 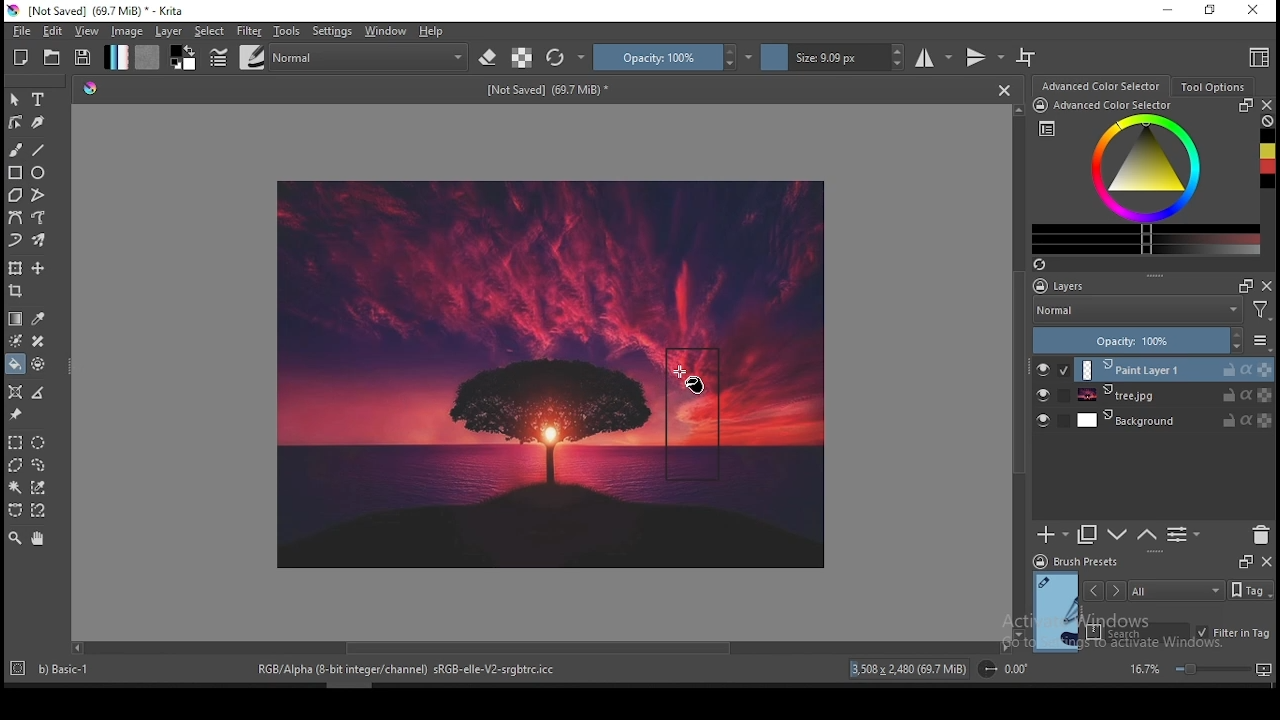 I want to click on Close, so click(x=1004, y=90).